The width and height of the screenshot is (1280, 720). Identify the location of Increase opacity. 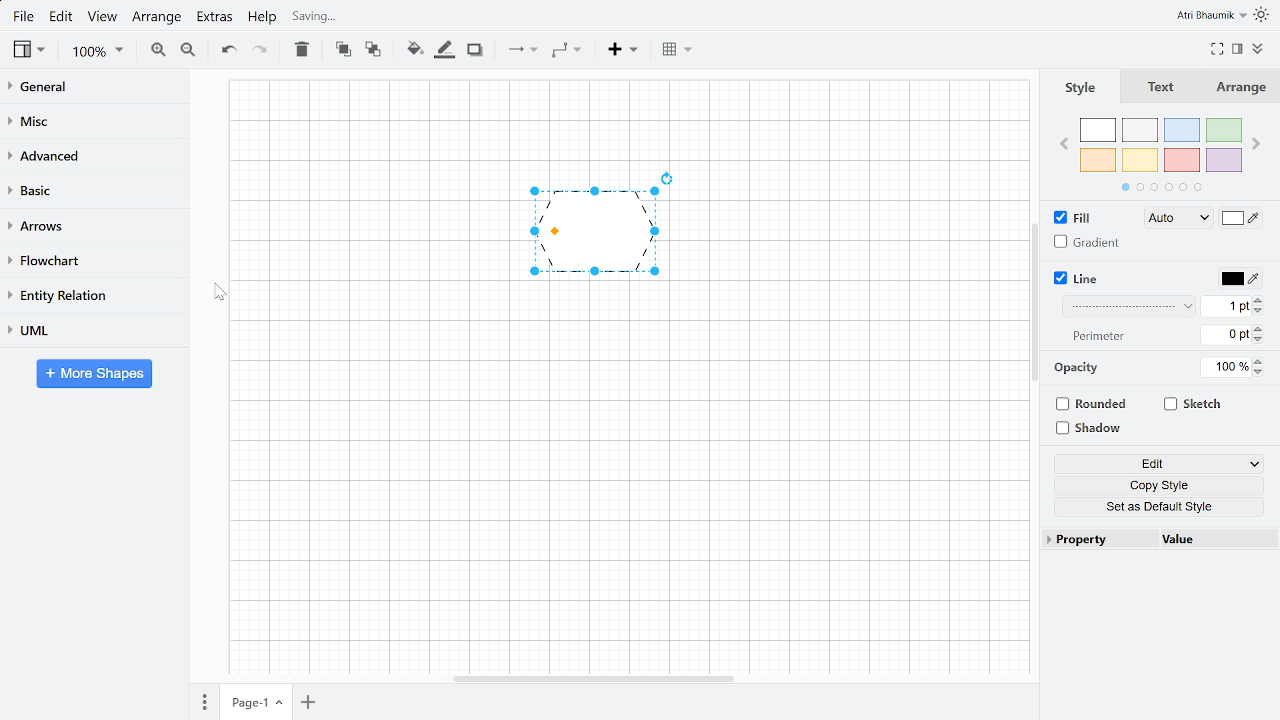
(1259, 362).